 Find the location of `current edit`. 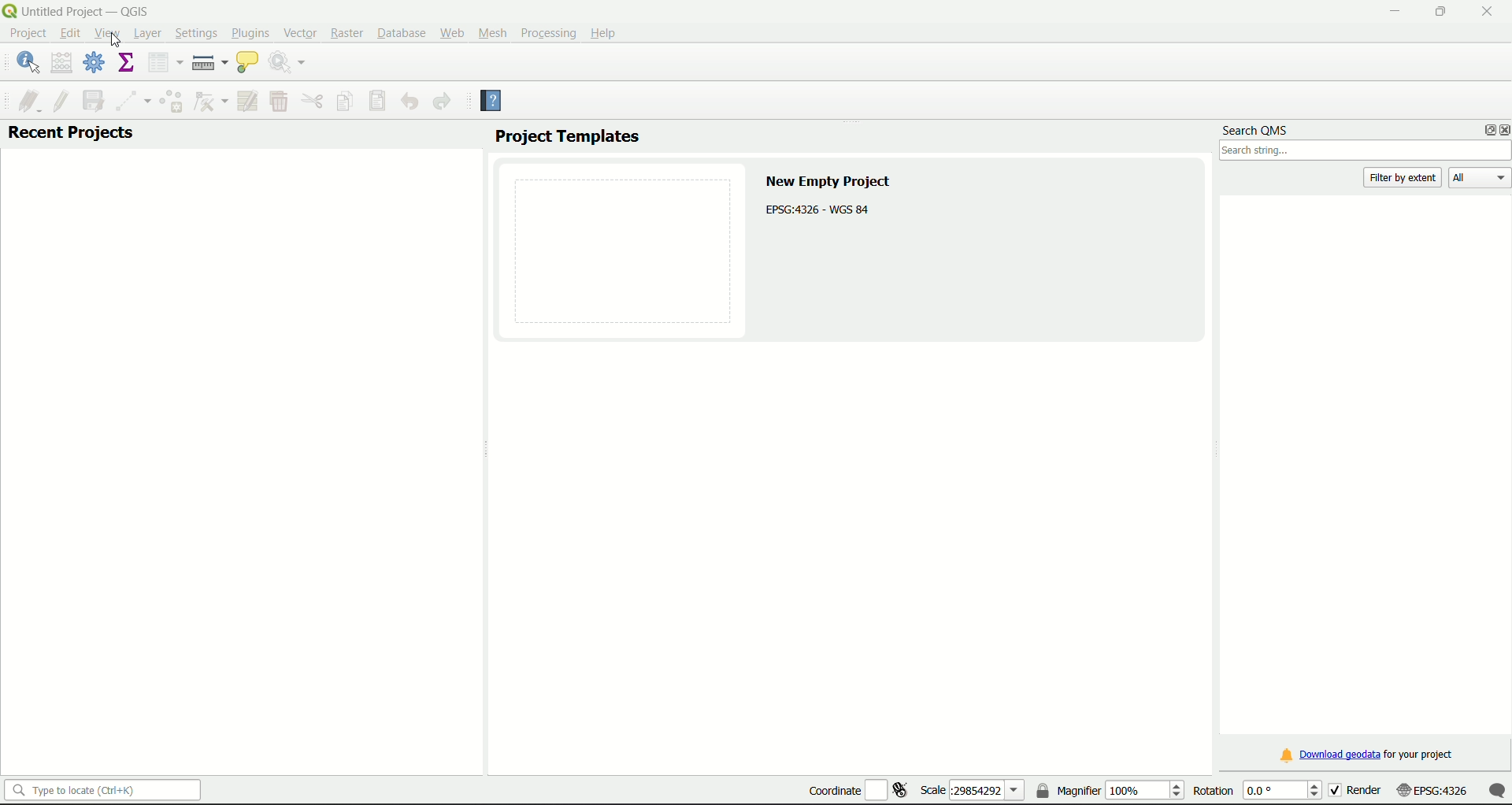

current edit is located at coordinates (29, 101).